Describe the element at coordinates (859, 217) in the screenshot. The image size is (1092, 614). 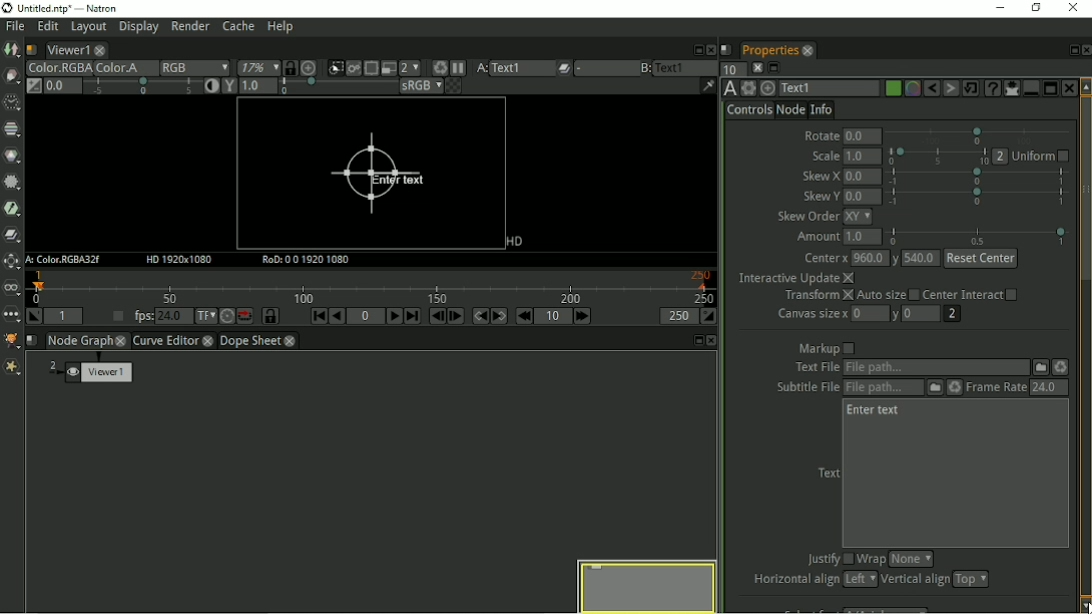
I see `xy` at that location.